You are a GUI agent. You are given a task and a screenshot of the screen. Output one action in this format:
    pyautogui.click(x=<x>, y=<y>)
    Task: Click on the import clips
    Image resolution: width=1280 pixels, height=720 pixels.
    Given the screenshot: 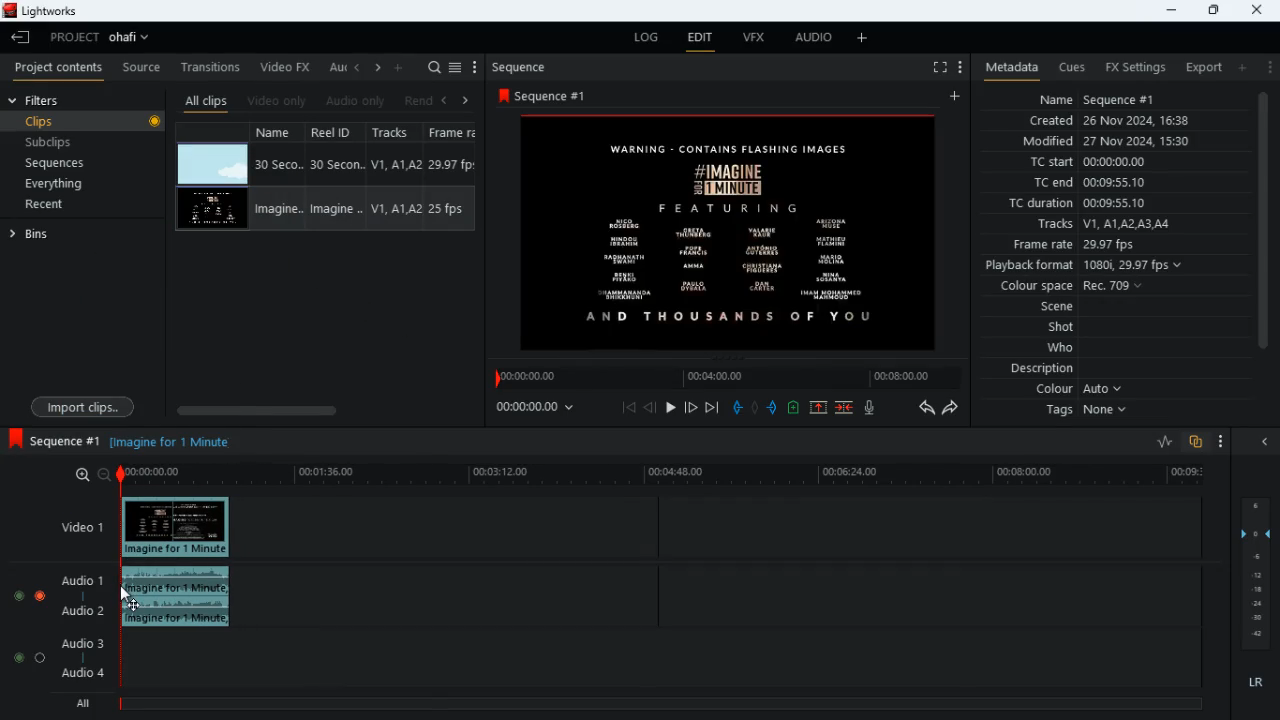 What is the action you would take?
    pyautogui.click(x=83, y=406)
    